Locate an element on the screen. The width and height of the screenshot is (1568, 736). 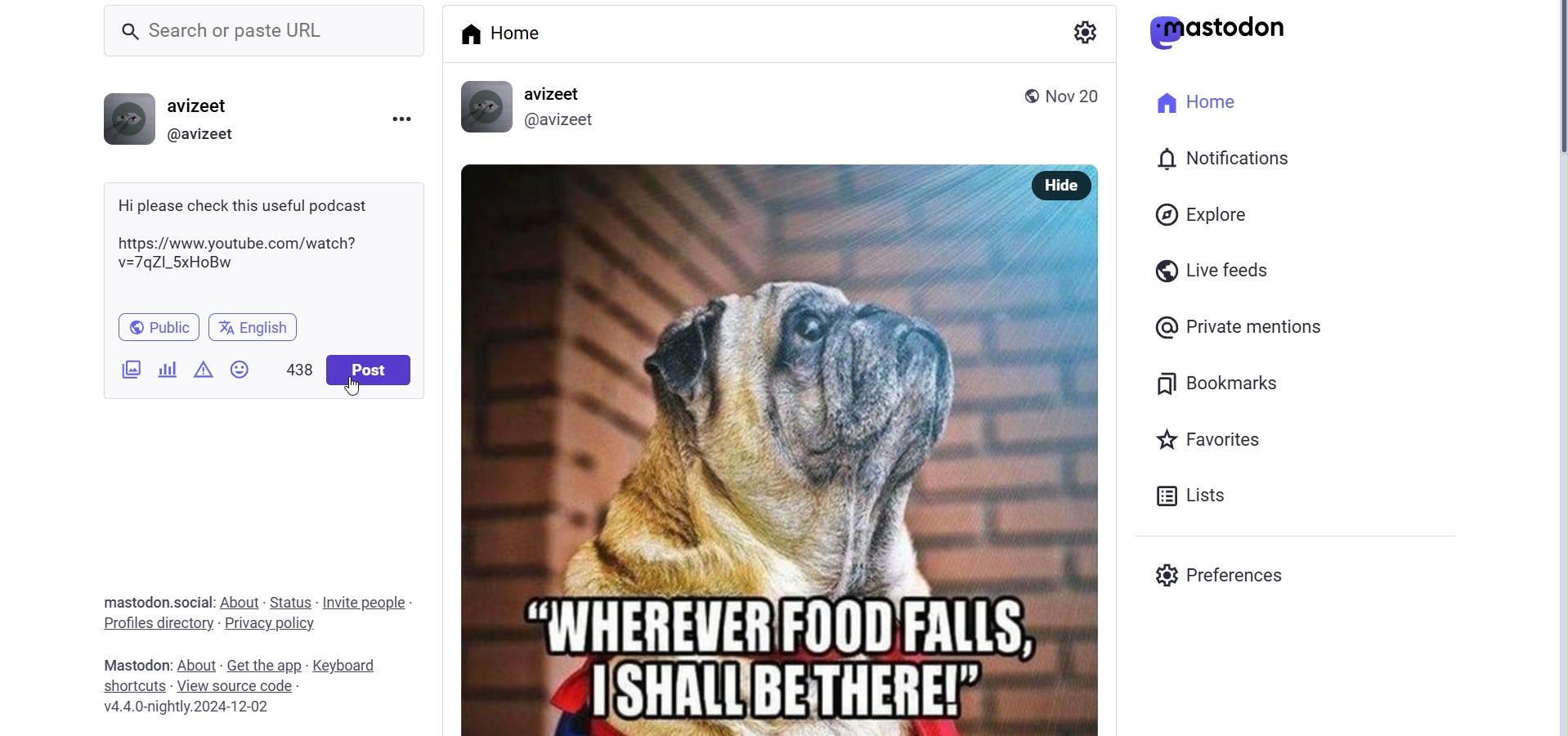
profile picture is located at coordinates (128, 120).